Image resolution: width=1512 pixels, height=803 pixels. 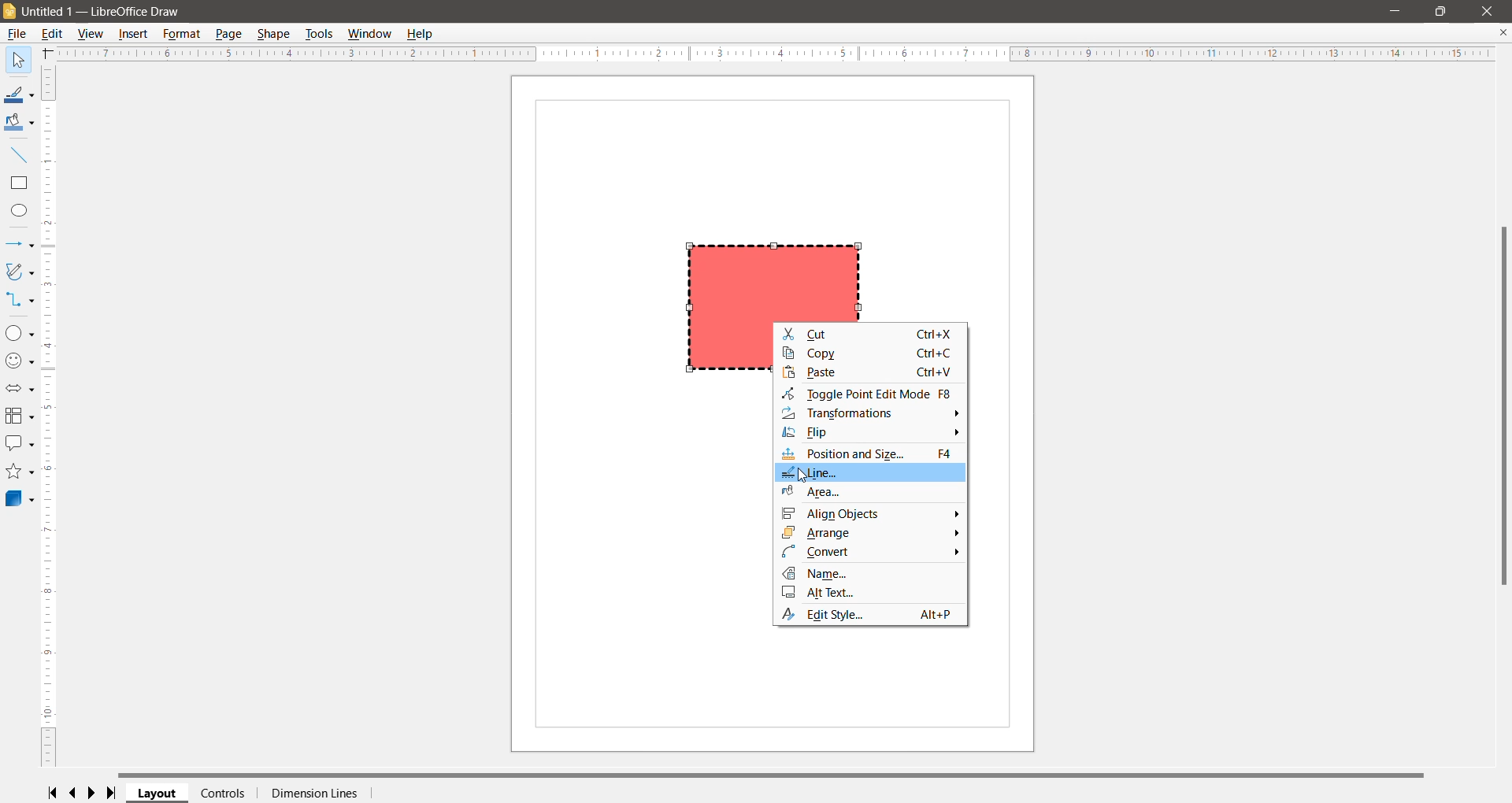 I want to click on Minimize, so click(x=1395, y=10).